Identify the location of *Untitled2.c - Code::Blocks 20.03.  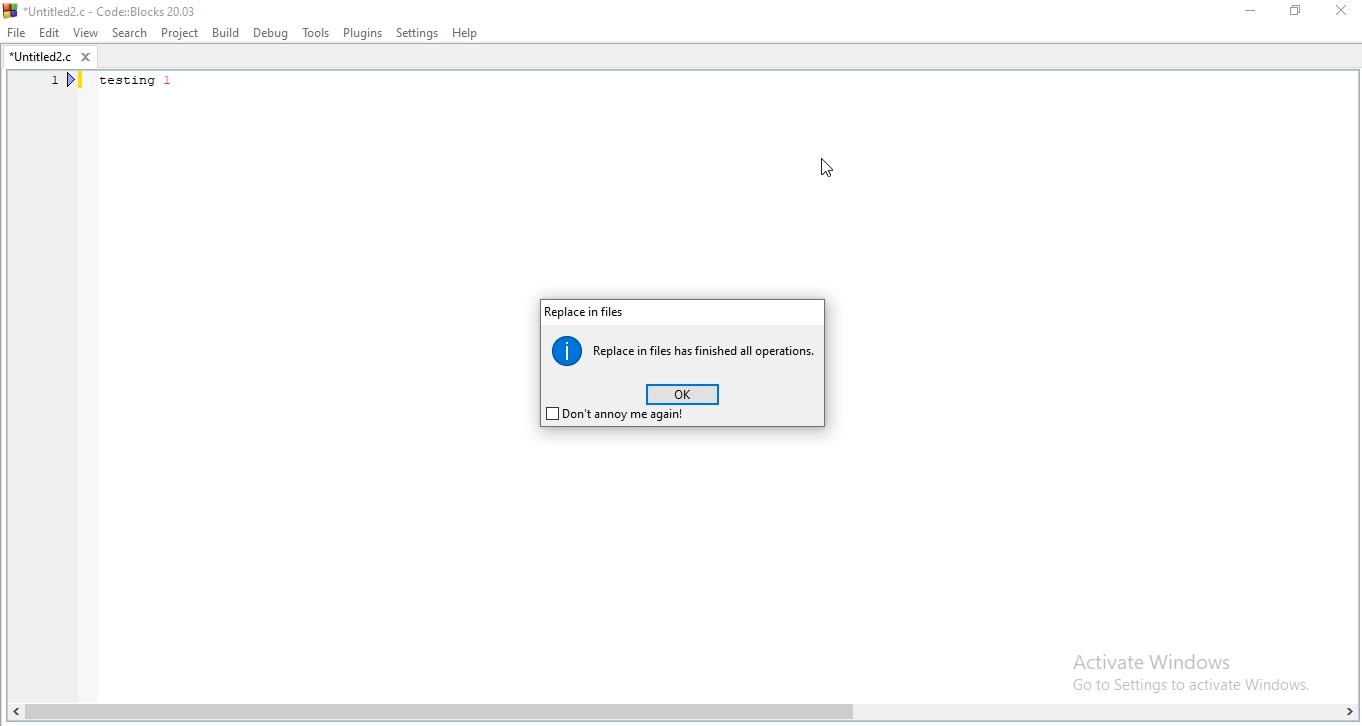
(121, 9).